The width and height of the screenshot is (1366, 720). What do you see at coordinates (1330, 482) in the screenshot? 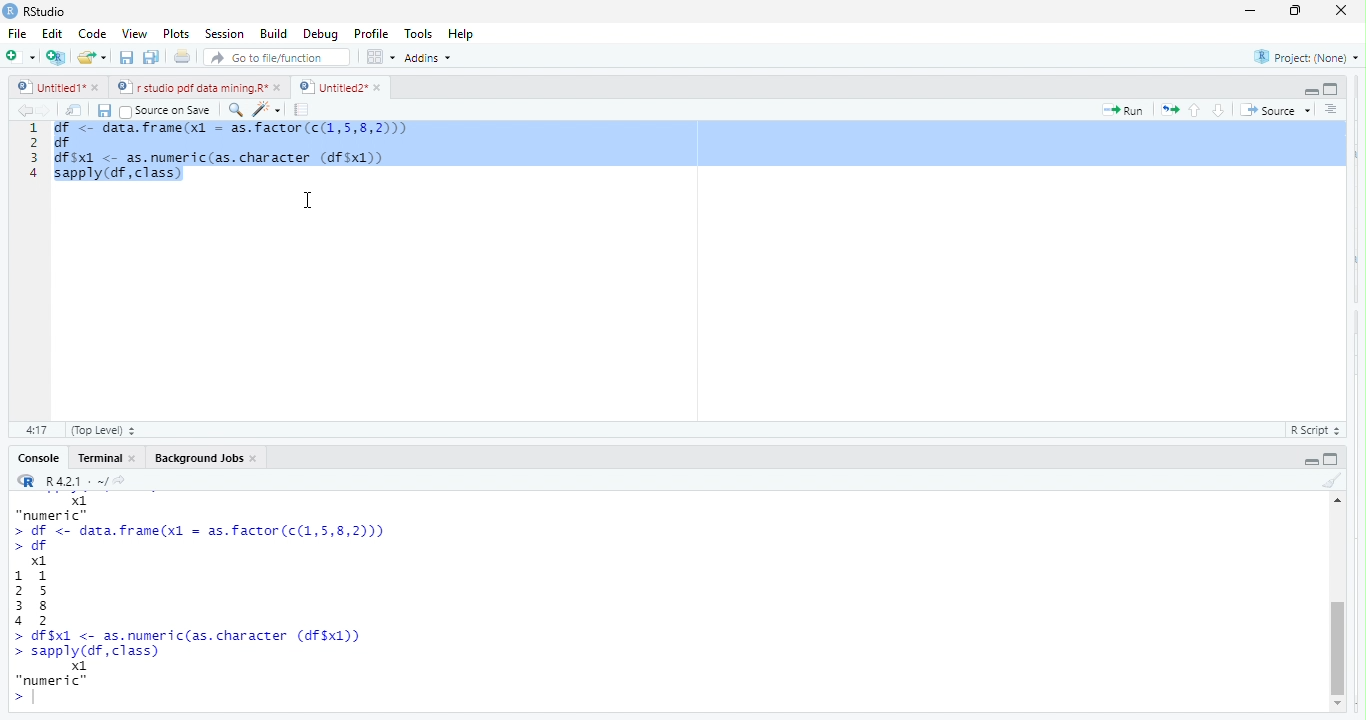
I see `clear console` at bounding box center [1330, 482].